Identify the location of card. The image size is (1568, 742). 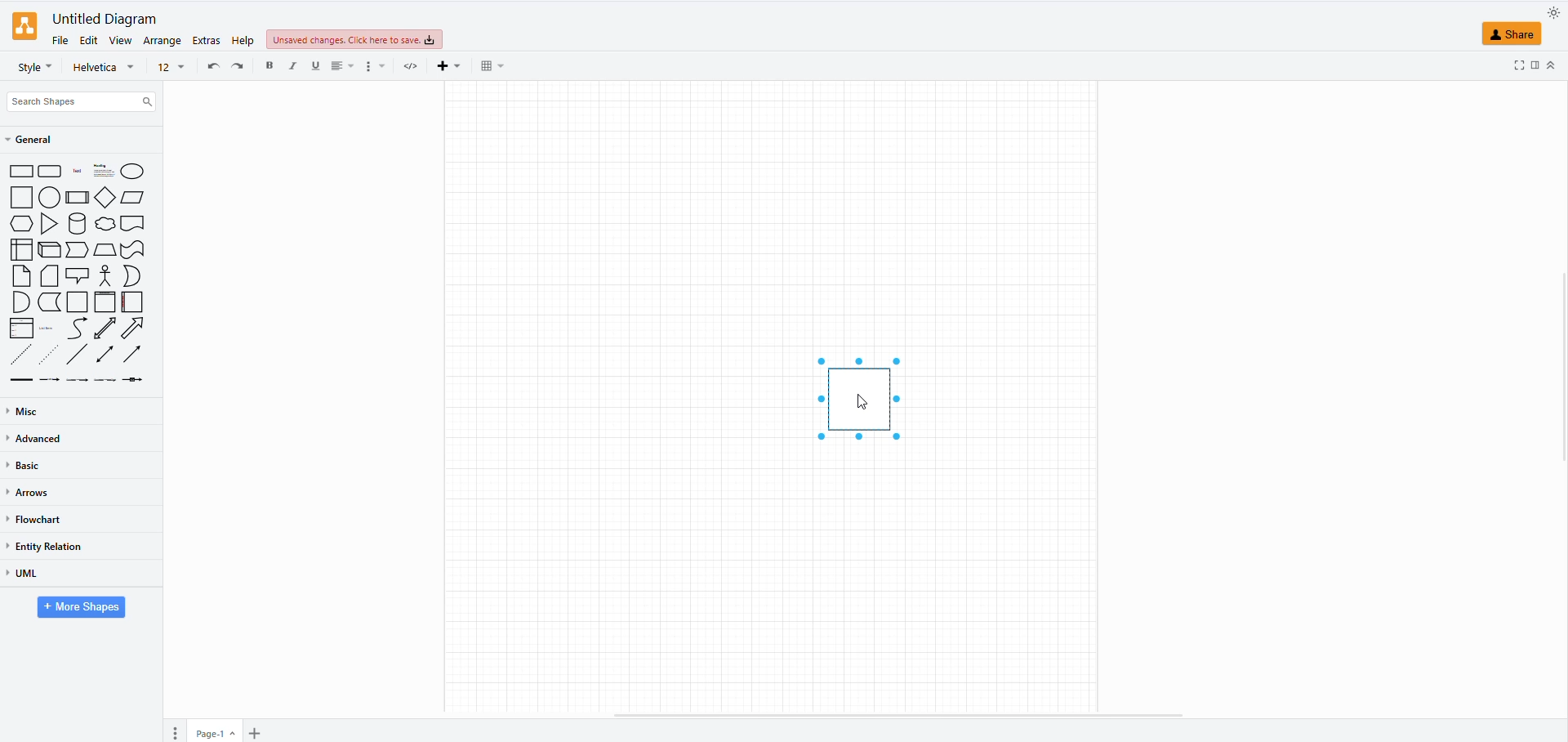
(51, 277).